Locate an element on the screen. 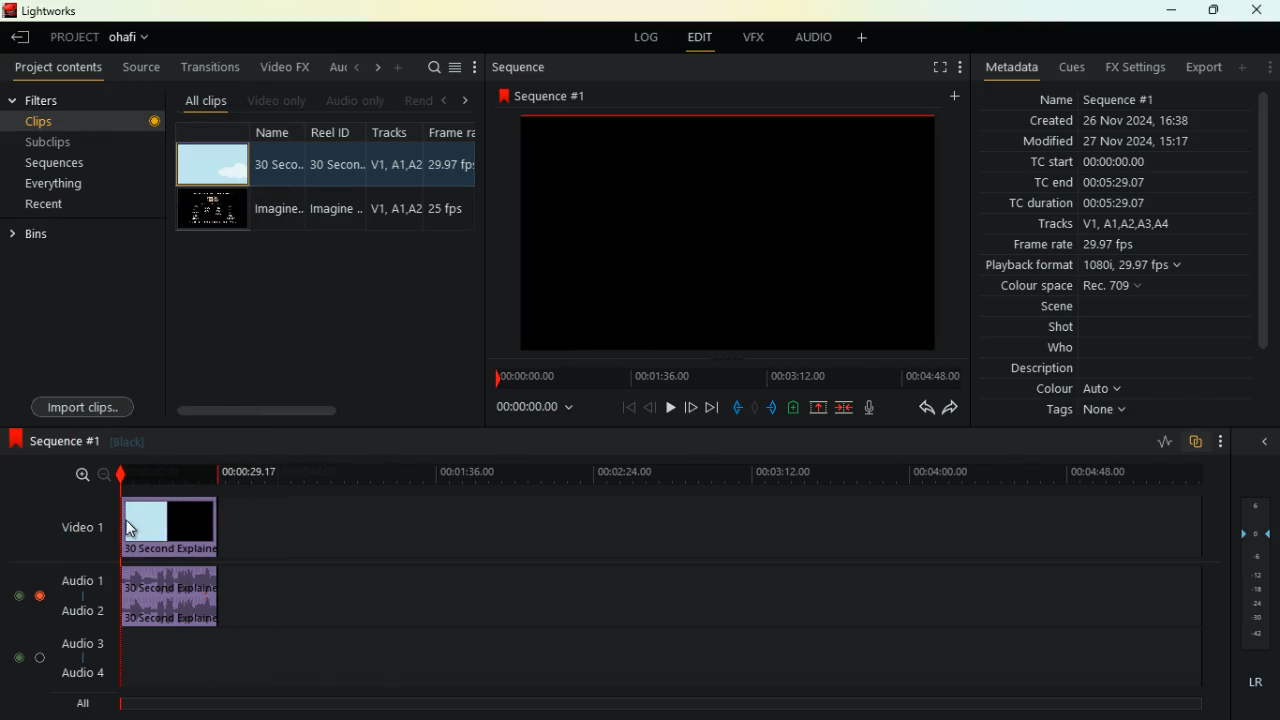  sequences is located at coordinates (63, 164).